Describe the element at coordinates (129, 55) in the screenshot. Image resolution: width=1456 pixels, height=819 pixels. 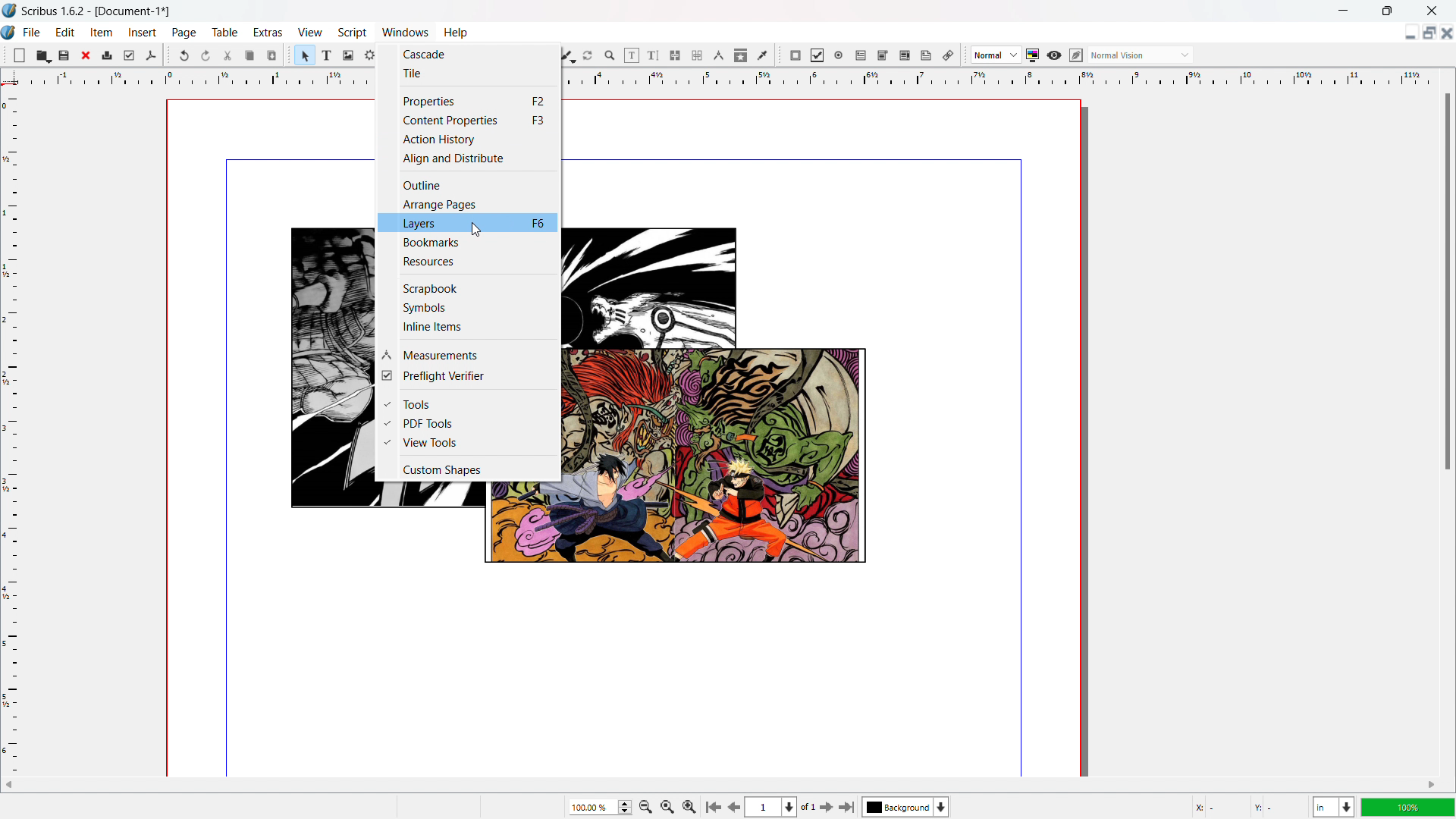
I see `preflight verifier` at that location.